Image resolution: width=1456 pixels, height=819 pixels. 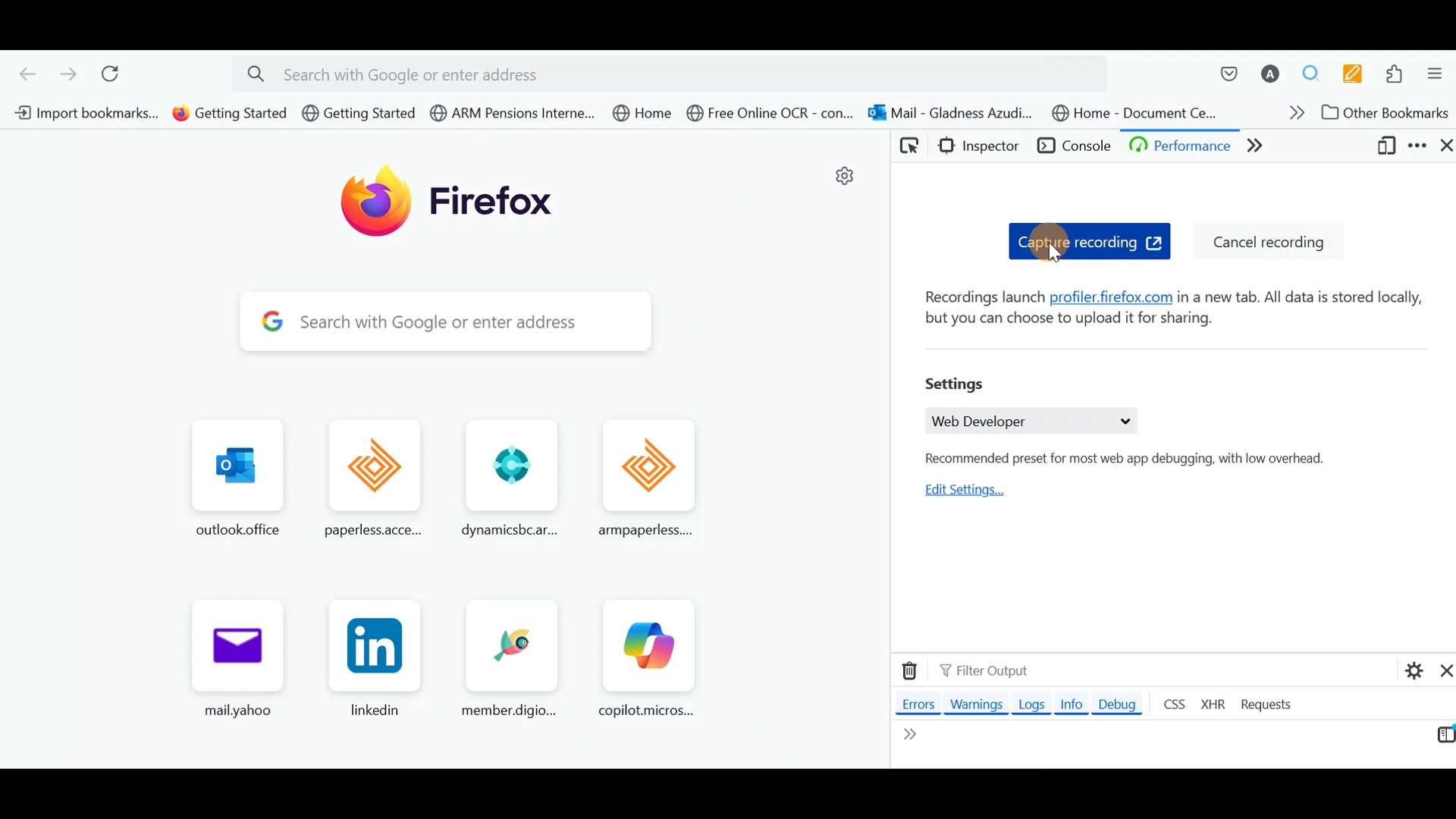 I want to click on Errors, so click(x=914, y=703).